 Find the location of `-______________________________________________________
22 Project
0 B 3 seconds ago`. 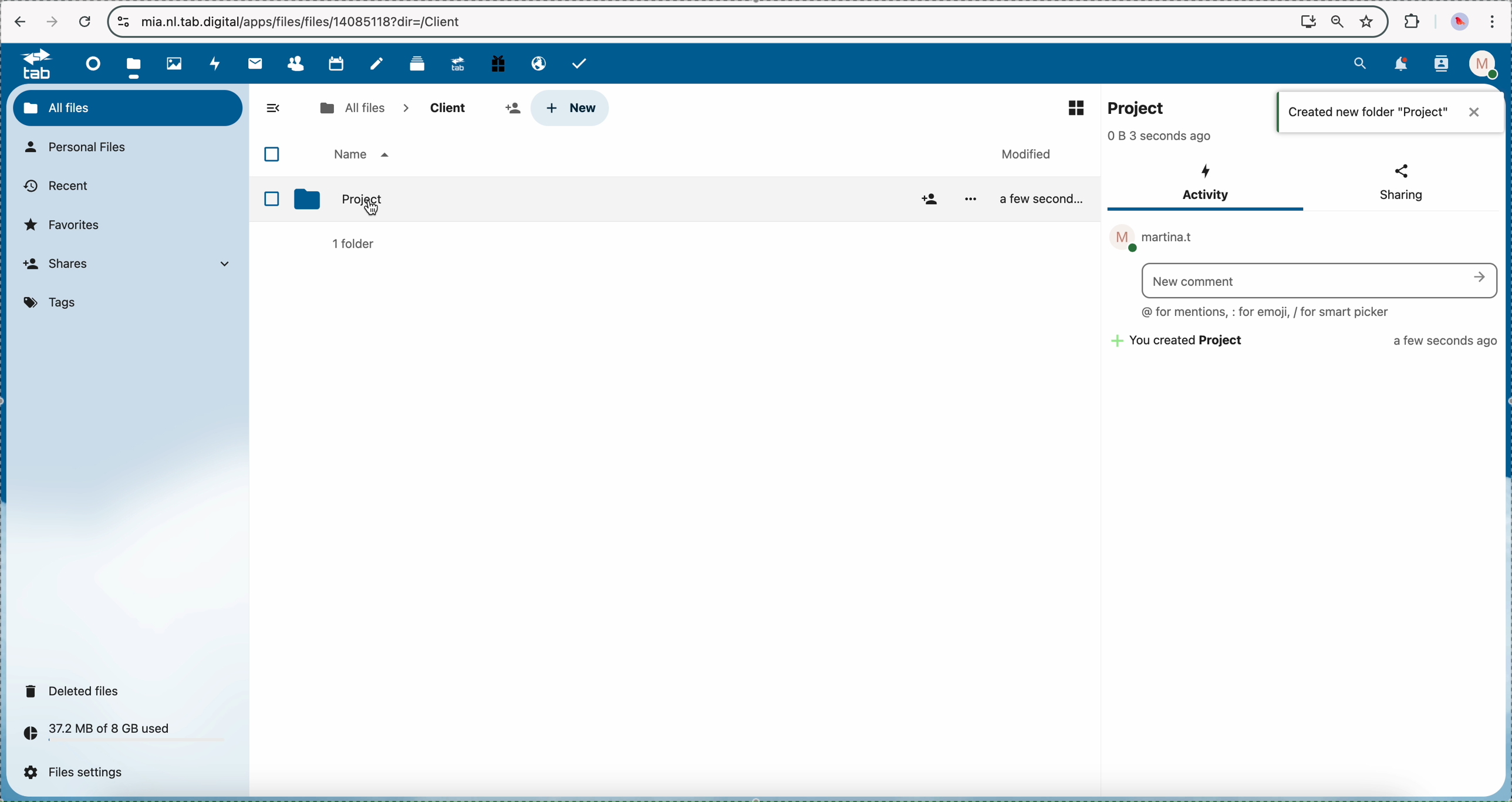

-______________________________________________________
22 Project
0 B 3 seconds ago is located at coordinates (1160, 118).